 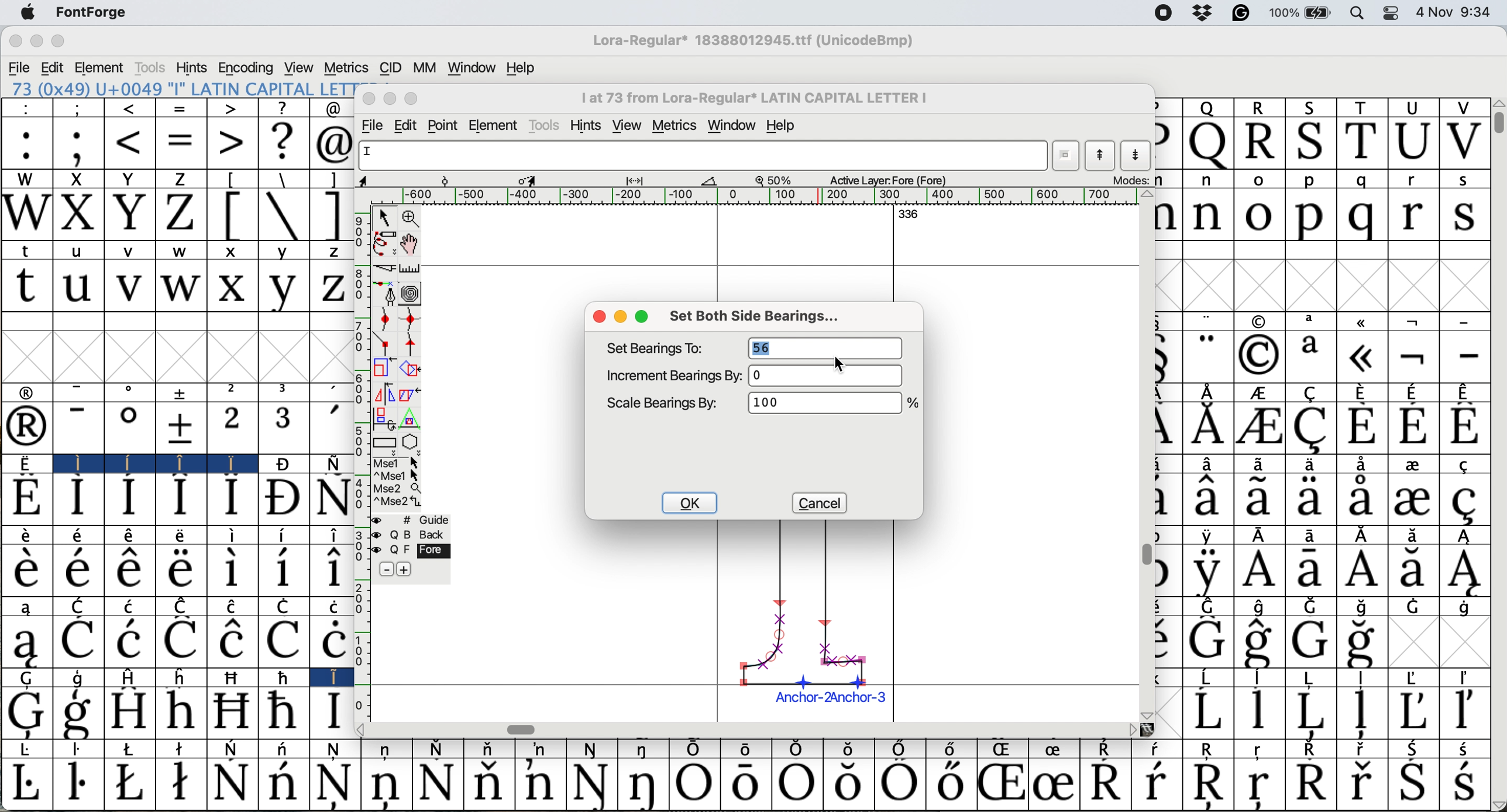 What do you see at coordinates (690, 503) in the screenshot?
I see `ok` at bounding box center [690, 503].